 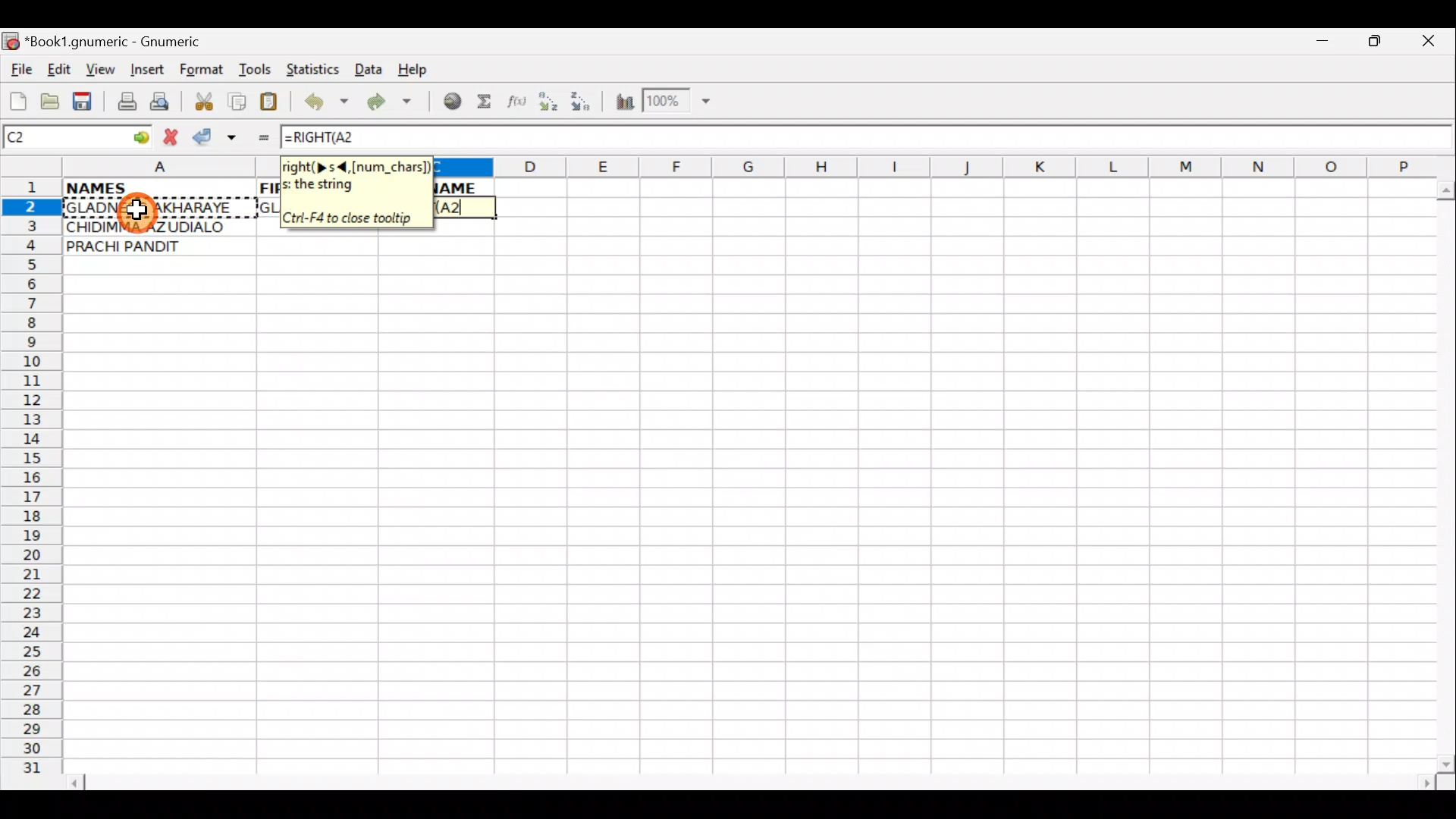 What do you see at coordinates (140, 135) in the screenshot?
I see `go to` at bounding box center [140, 135].